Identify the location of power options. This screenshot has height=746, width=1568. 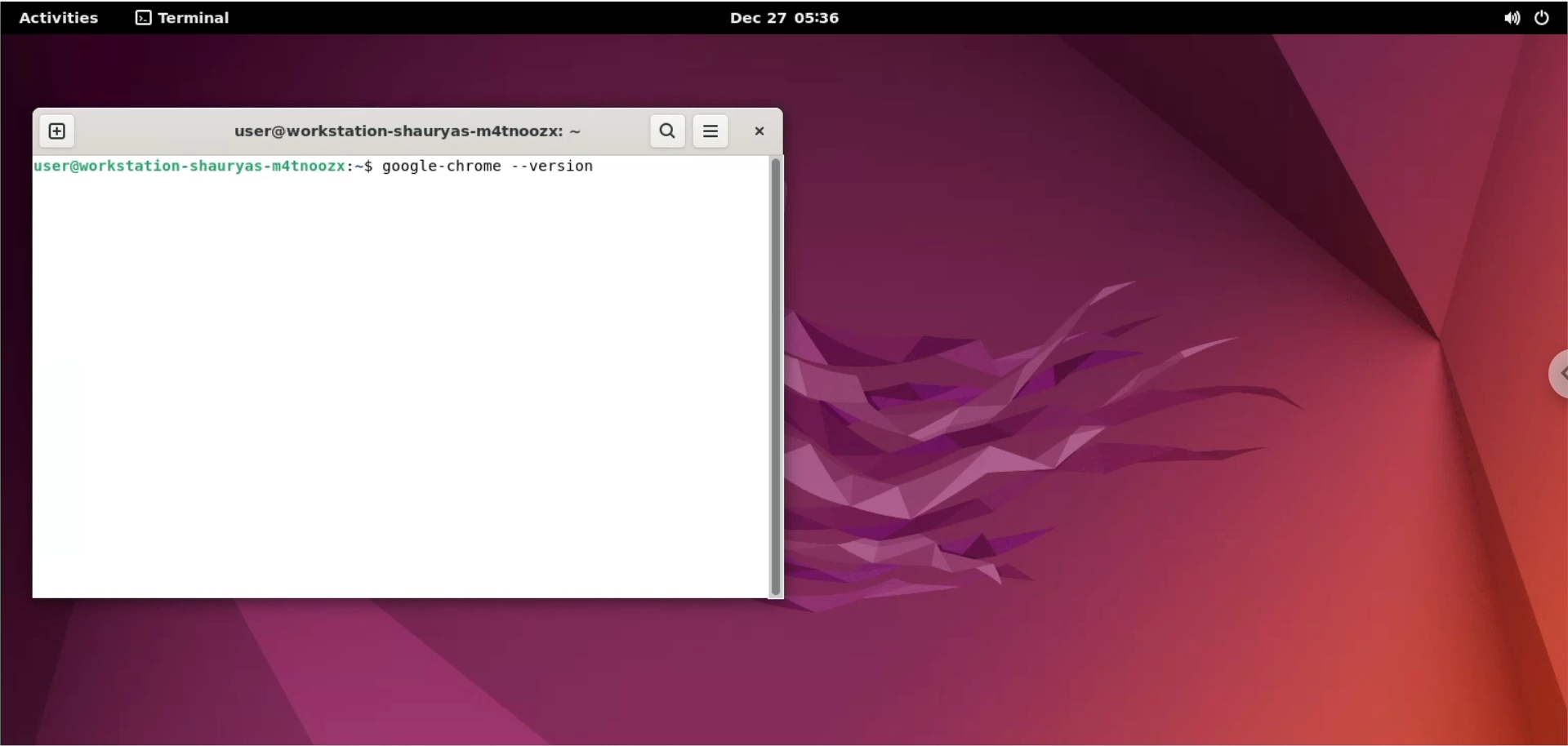
(1546, 18).